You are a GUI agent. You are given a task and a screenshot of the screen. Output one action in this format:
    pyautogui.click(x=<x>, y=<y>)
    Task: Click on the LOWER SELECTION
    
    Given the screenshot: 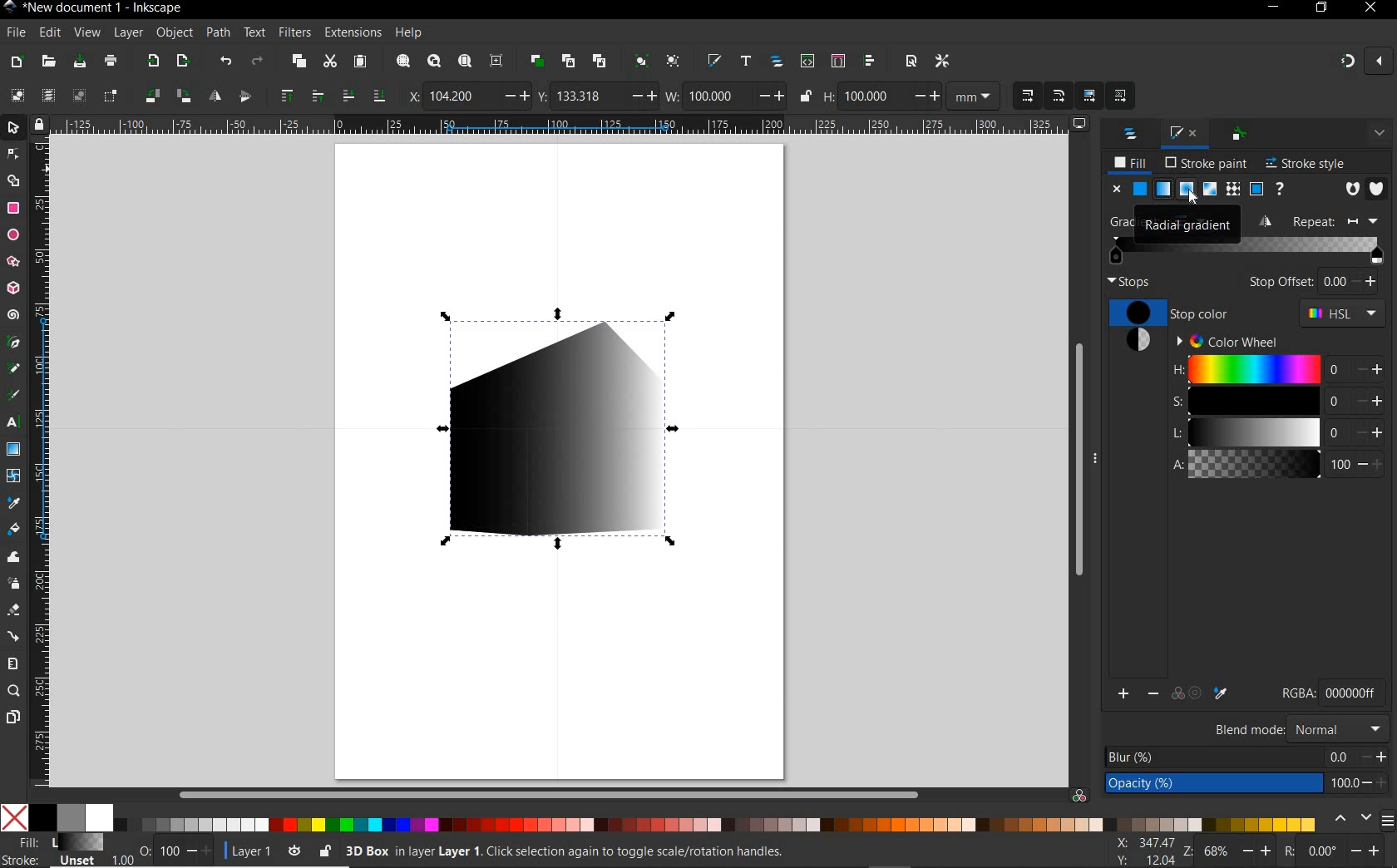 What is the action you would take?
    pyautogui.click(x=346, y=96)
    